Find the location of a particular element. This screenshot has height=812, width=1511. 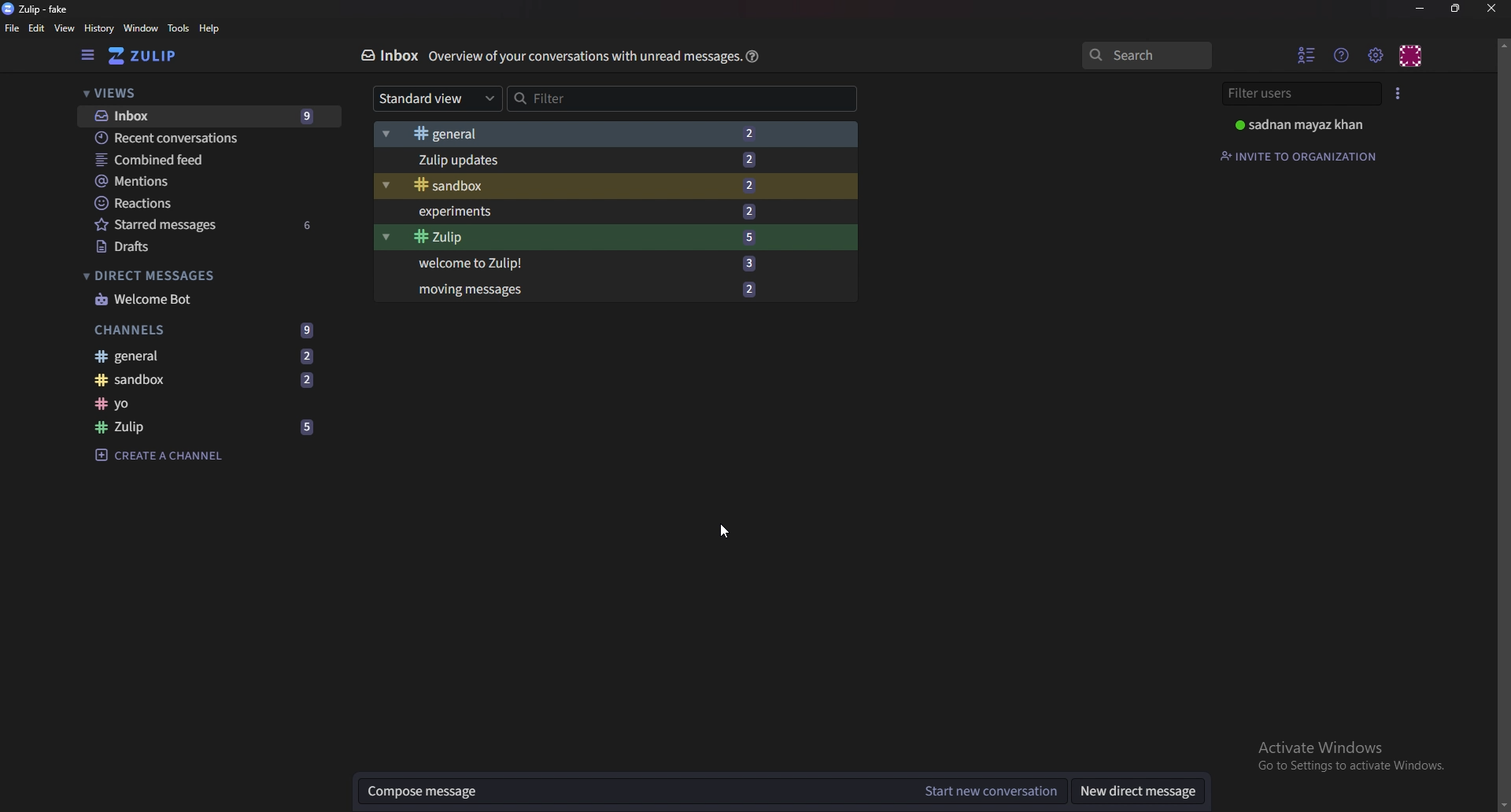

Zulip is located at coordinates (209, 426).